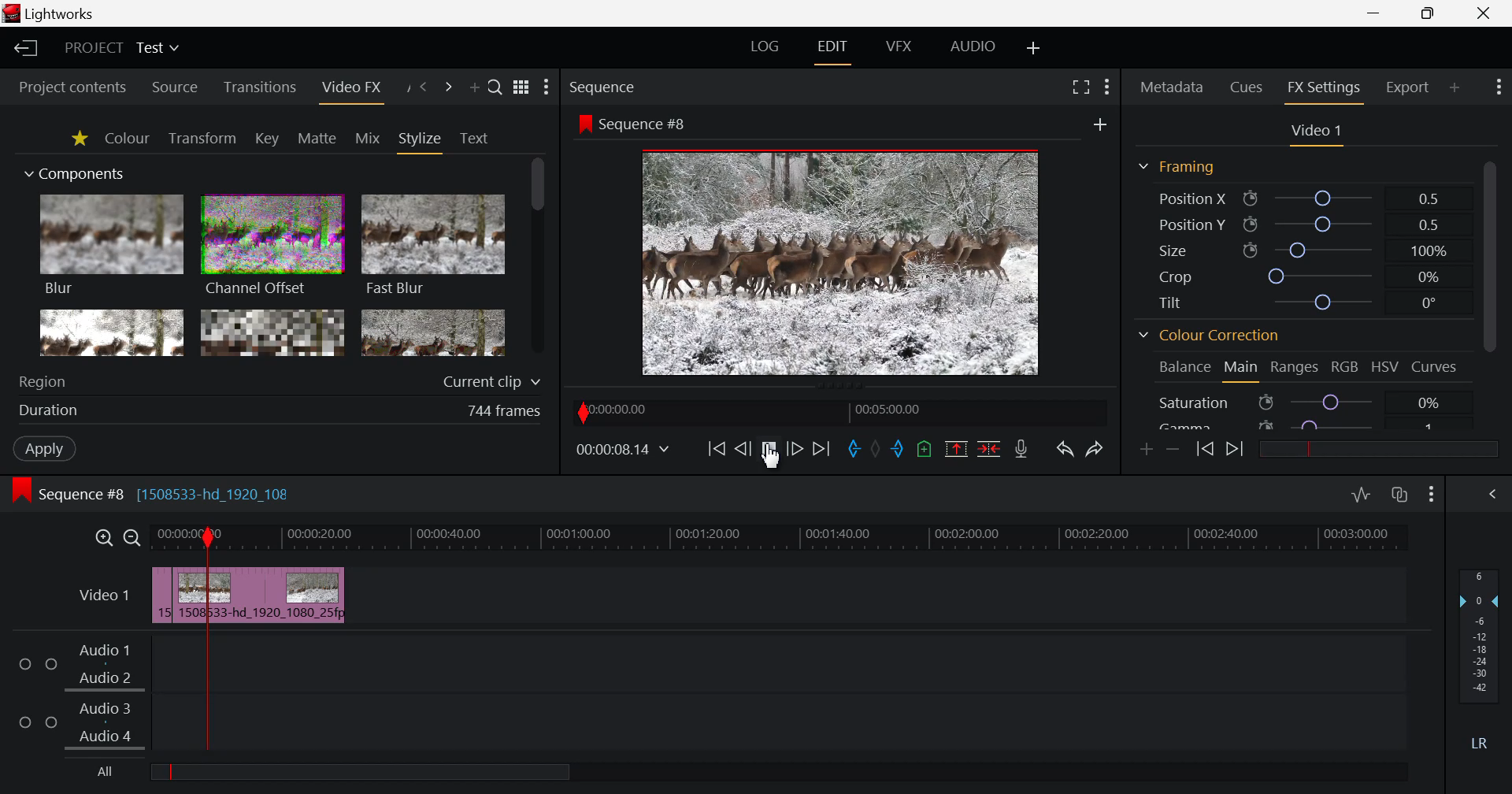  I want to click on Crop, so click(1299, 275).